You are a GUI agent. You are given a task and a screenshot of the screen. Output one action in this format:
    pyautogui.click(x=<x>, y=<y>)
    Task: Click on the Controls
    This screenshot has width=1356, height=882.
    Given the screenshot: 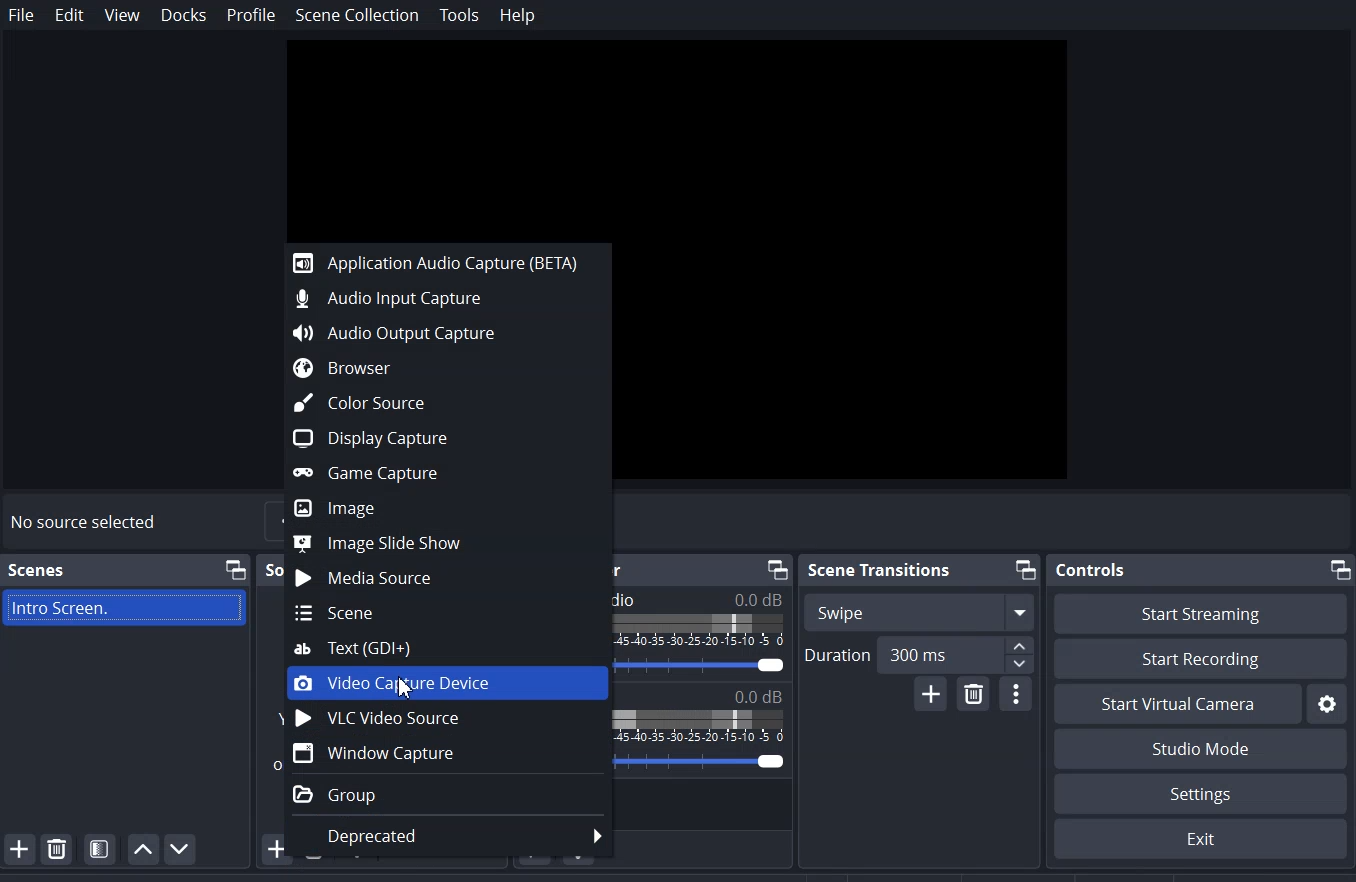 What is the action you would take?
    pyautogui.click(x=1091, y=569)
    